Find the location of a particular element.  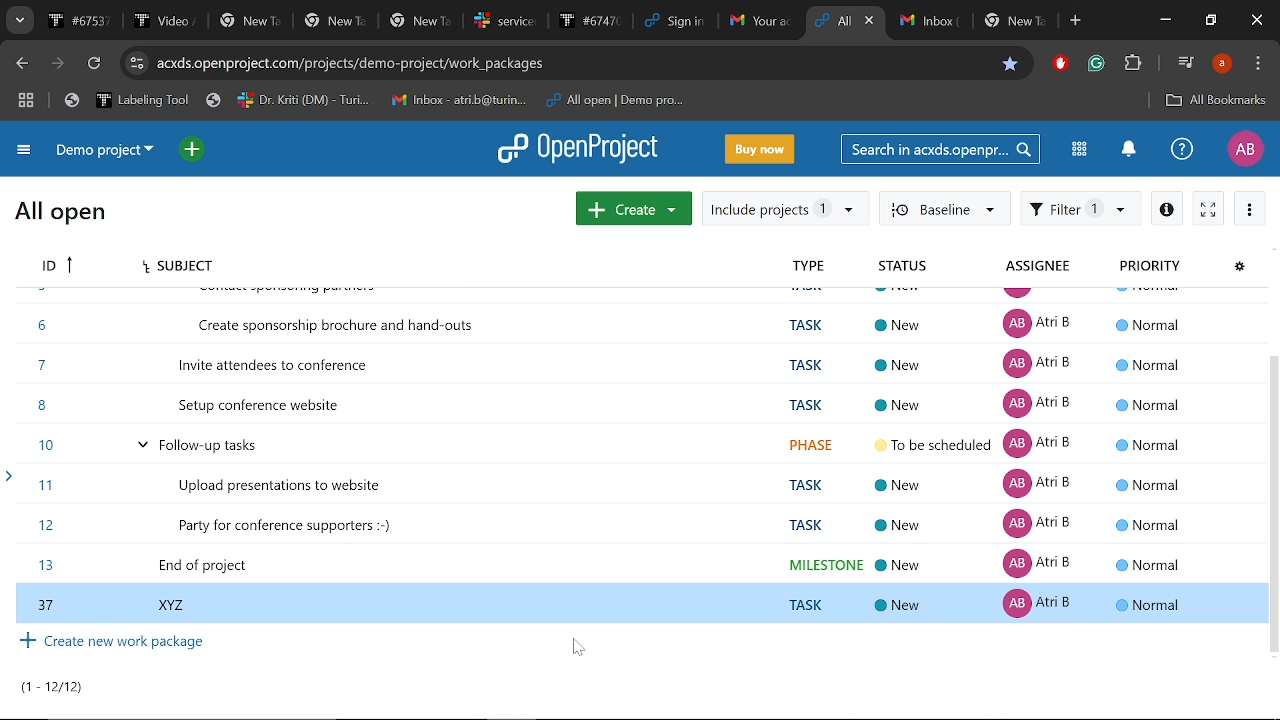

Task Id is located at coordinates (55, 266).